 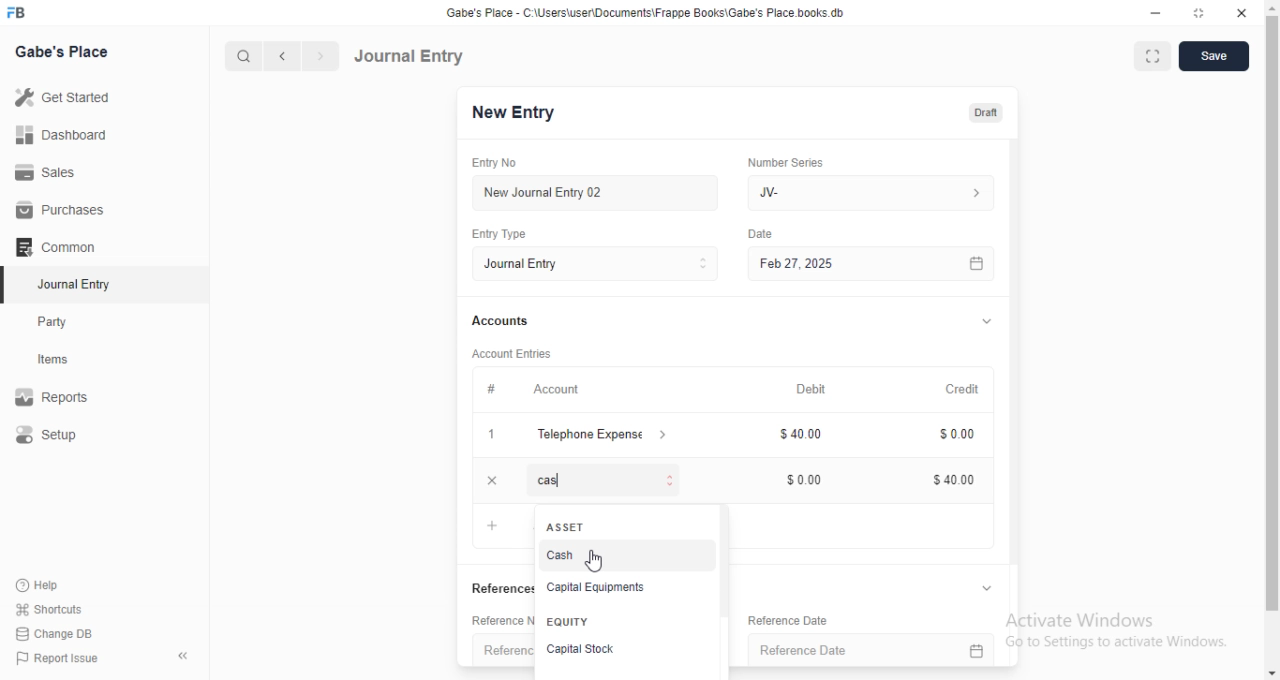 I want to click on Collapse, so click(x=184, y=656).